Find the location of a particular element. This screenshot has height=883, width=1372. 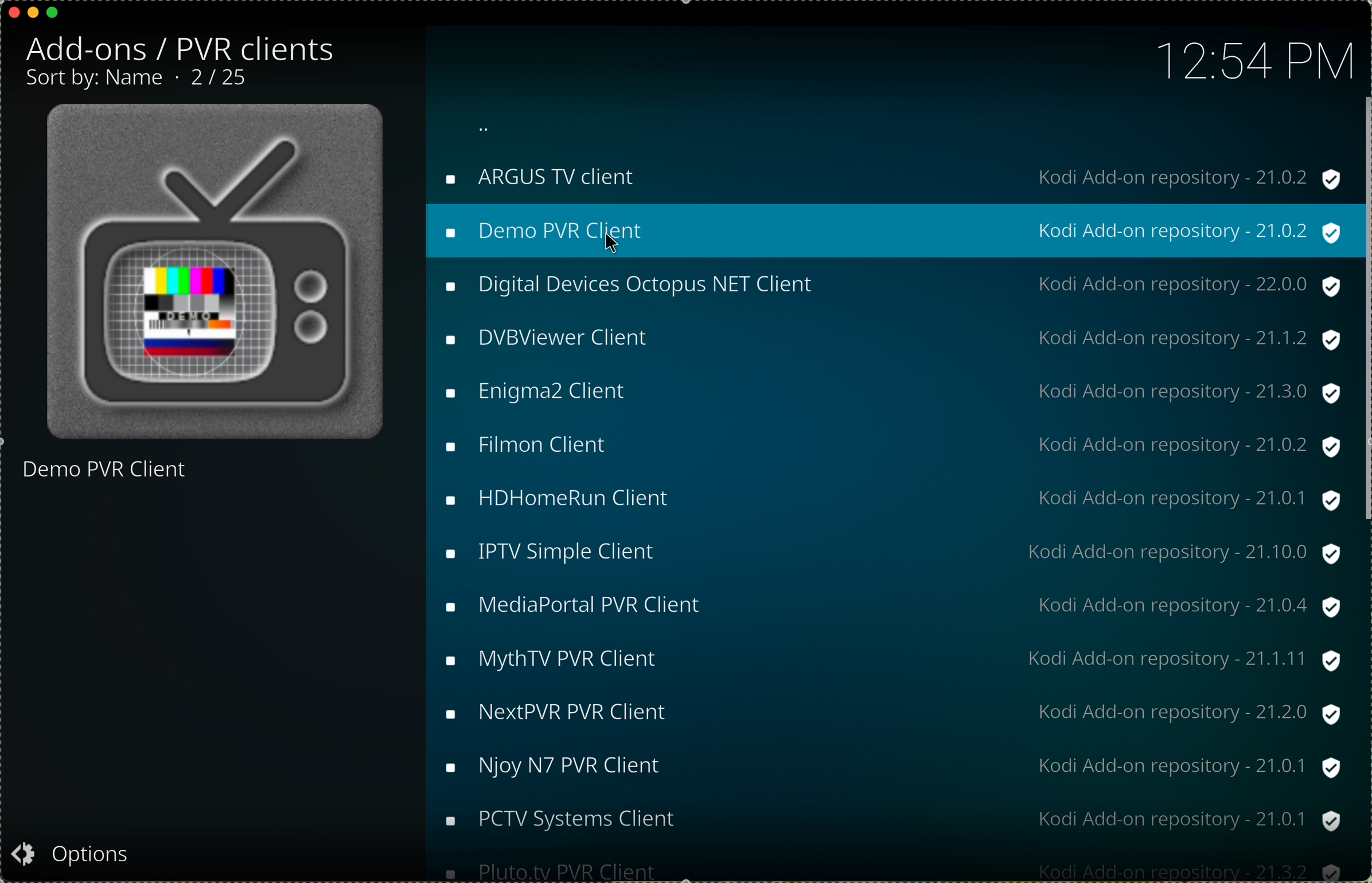

21.0.2 is located at coordinates (1280, 447).